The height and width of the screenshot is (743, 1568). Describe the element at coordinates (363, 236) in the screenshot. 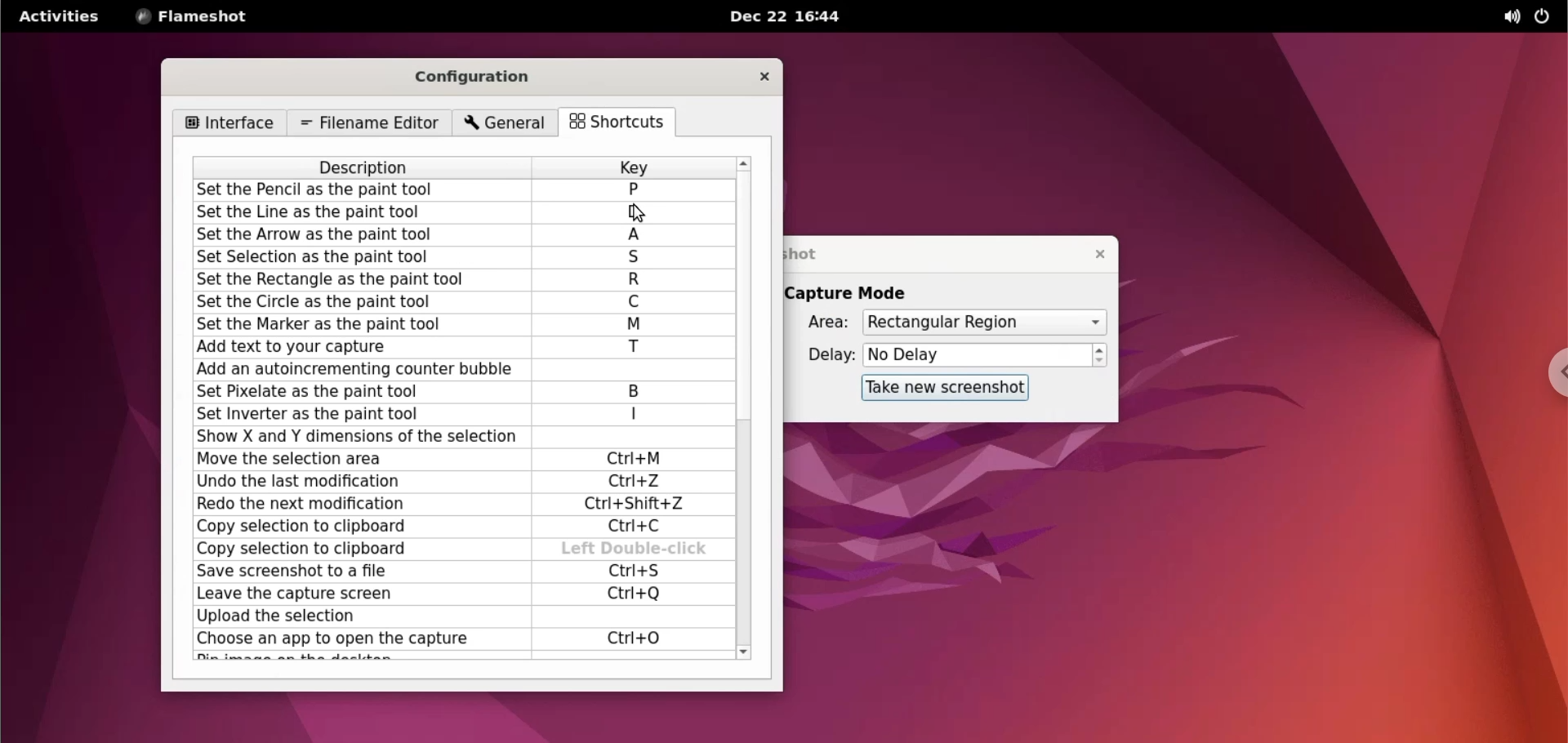

I see `set the arrow as the paint tool` at that location.